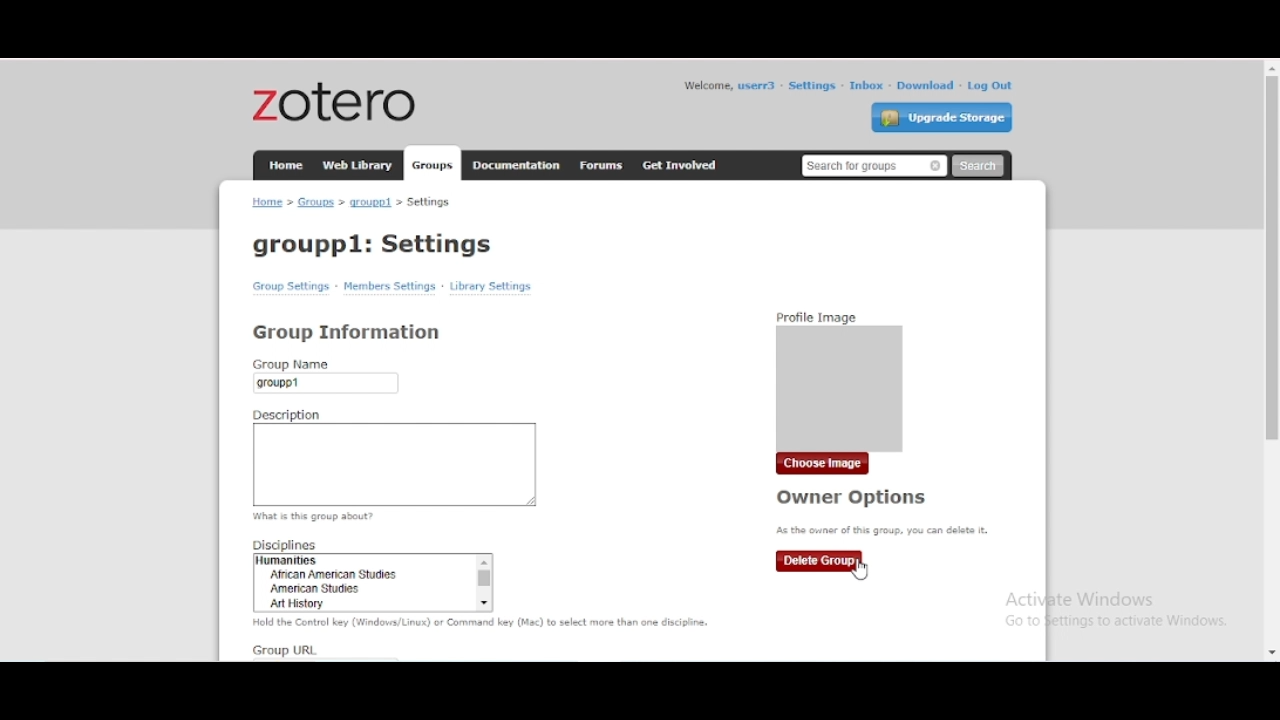 The width and height of the screenshot is (1280, 720). I want to click on search for groups, so click(874, 167).